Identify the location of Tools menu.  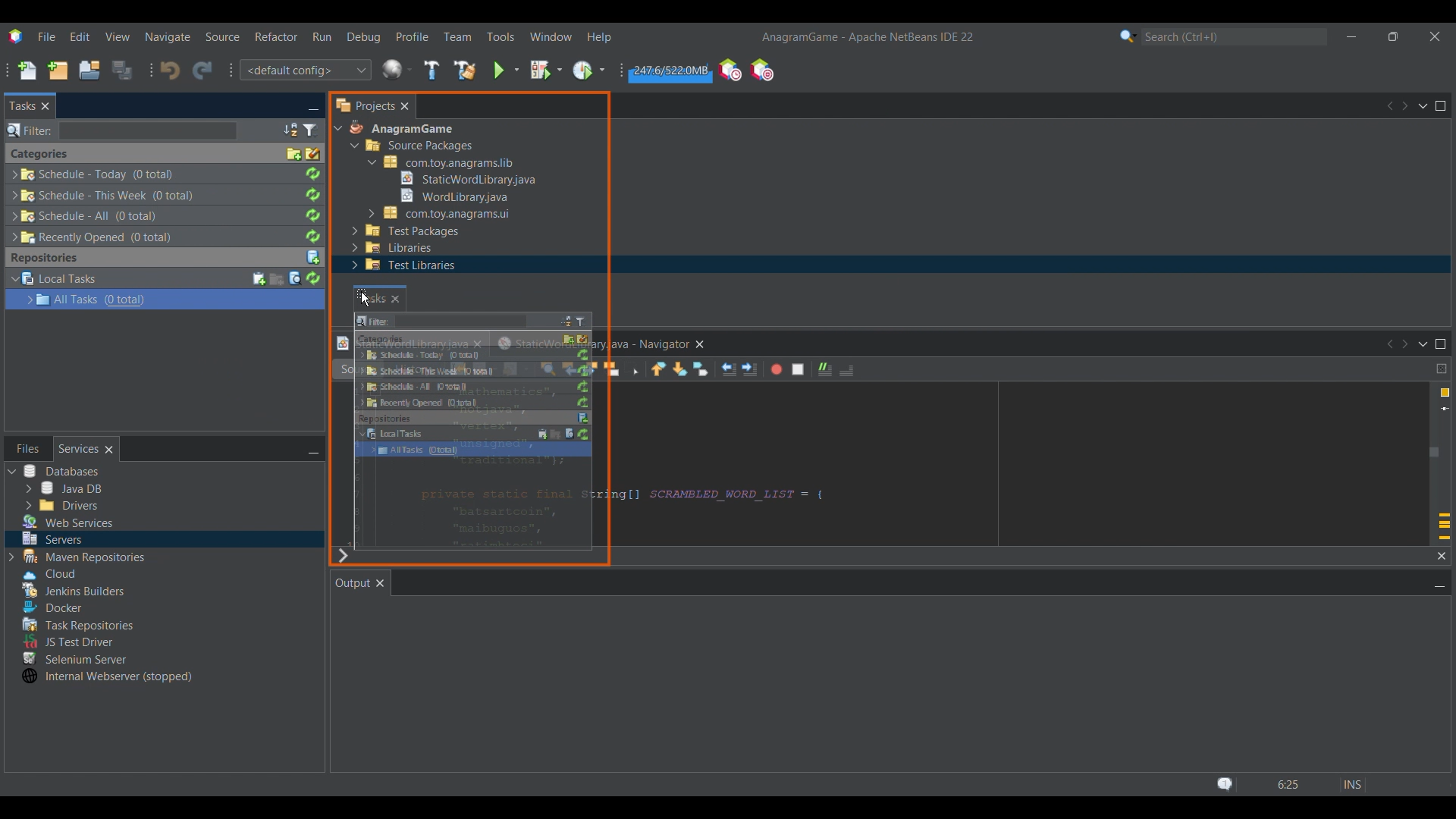
(500, 36).